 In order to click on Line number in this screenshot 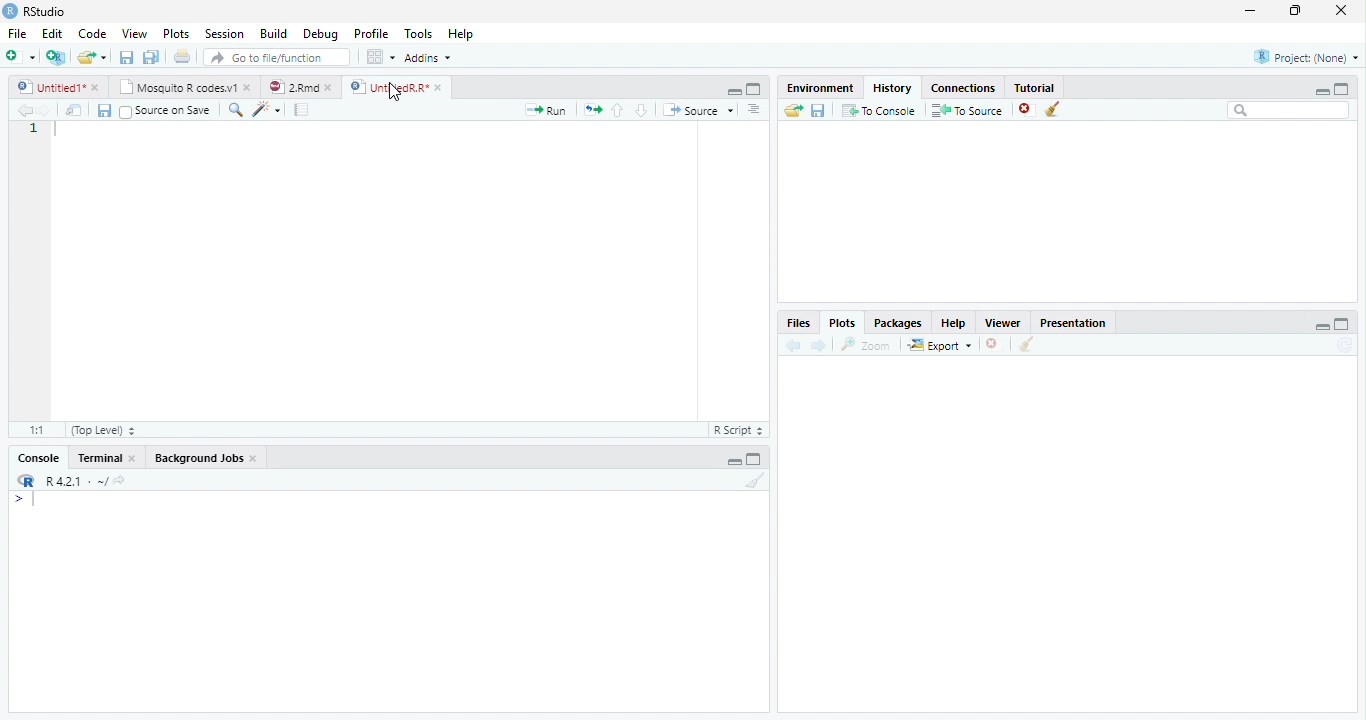, I will do `click(33, 128)`.